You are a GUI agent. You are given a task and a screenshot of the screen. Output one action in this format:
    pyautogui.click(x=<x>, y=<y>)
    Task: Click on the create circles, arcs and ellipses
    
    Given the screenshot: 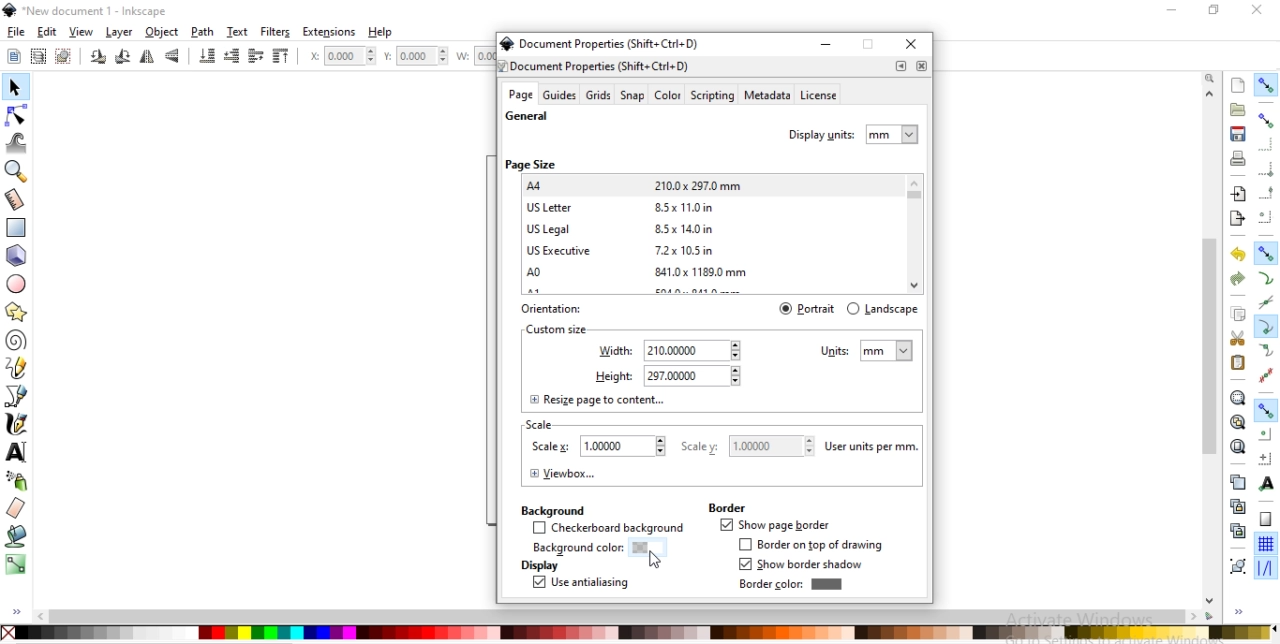 What is the action you would take?
    pyautogui.click(x=18, y=285)
    